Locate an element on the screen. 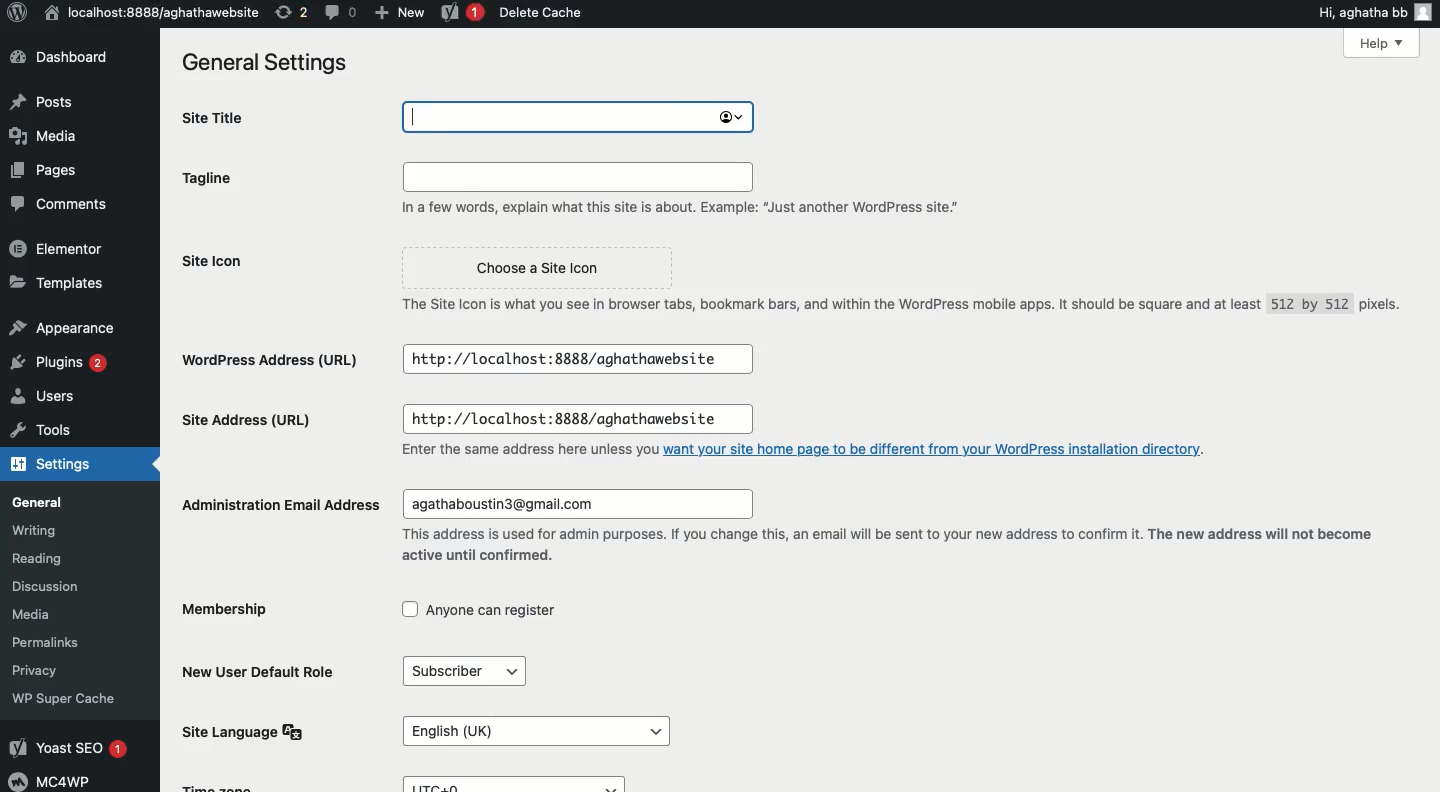  Hi, aghatha bb is located at coordinates (1369, 13).